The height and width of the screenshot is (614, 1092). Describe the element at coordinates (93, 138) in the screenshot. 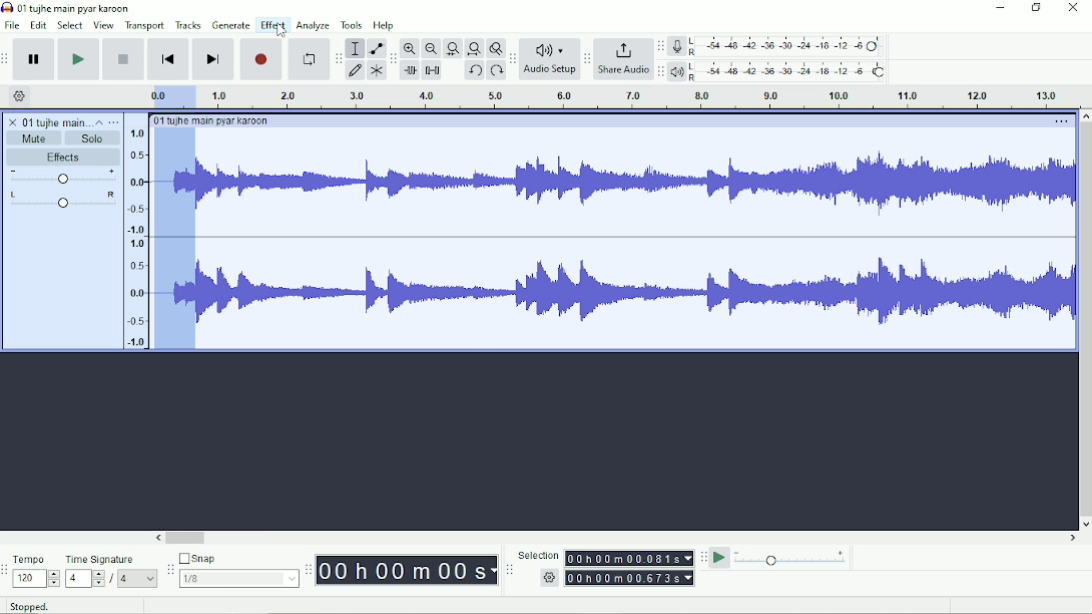

I see `Solo` at that location.